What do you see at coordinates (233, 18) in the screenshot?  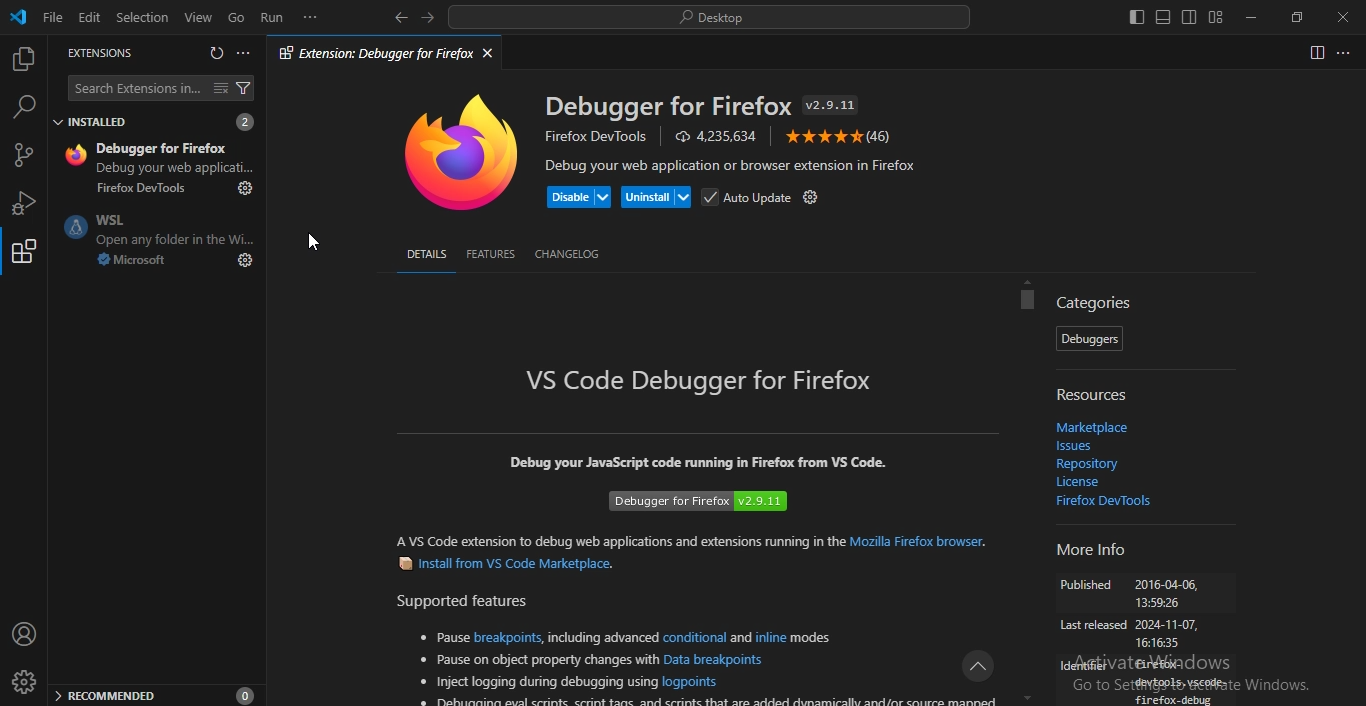 I see `go` at bounding box center [233, 18].